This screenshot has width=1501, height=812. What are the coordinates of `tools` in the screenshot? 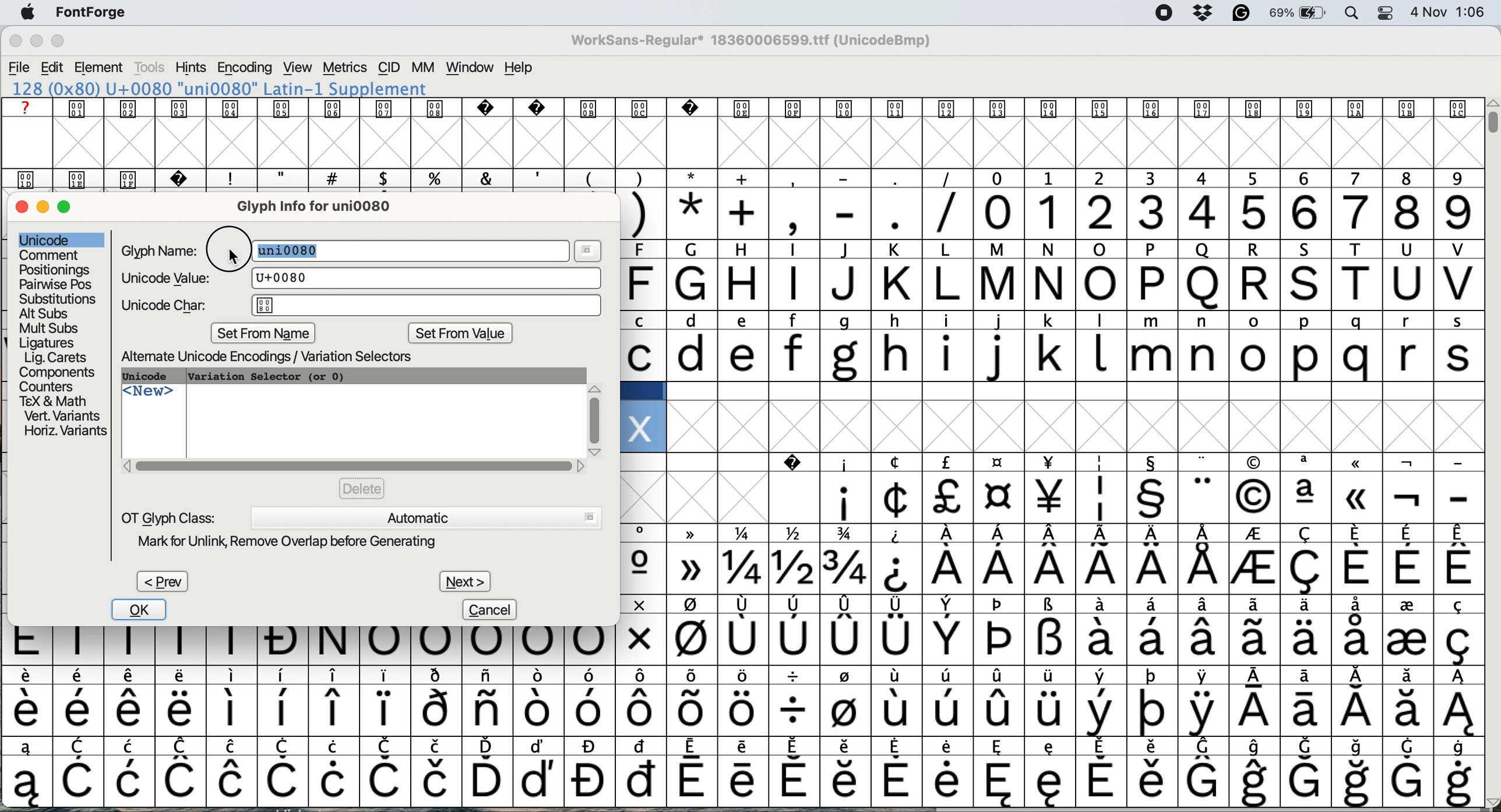 It's located at (150, 68).